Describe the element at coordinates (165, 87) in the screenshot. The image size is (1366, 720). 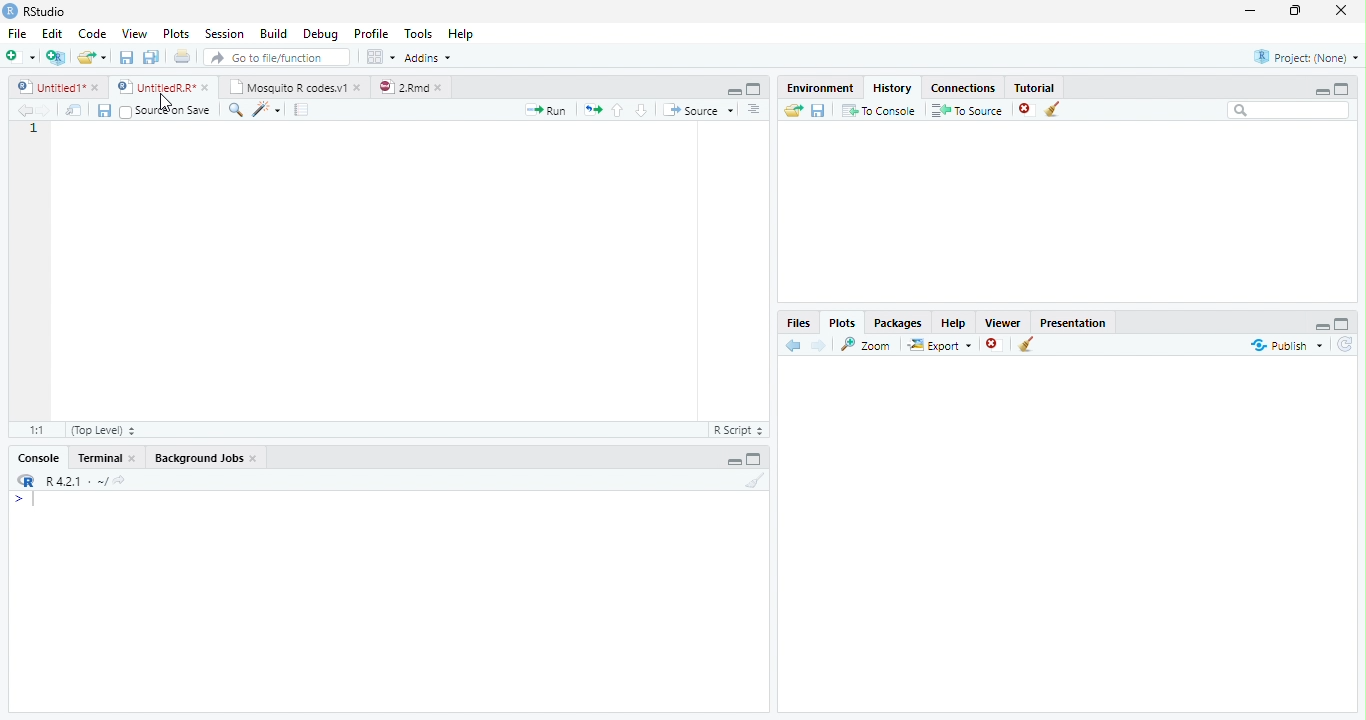
I see `© UntitedRR* *` at that location.